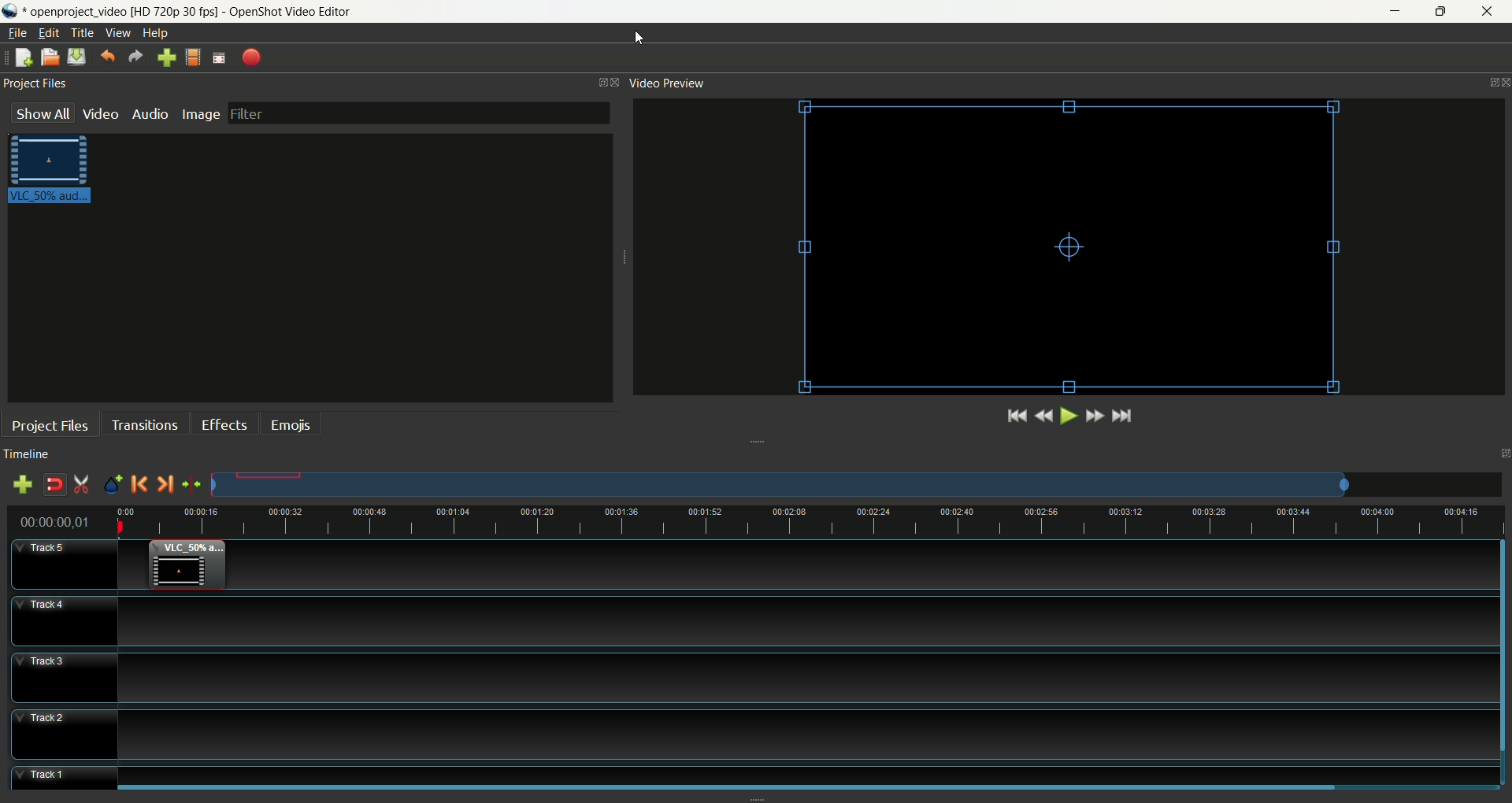  What do you see at coordinates (112, 483) in the screenshot?
I see `add marker` at bounding box center [112, 483].